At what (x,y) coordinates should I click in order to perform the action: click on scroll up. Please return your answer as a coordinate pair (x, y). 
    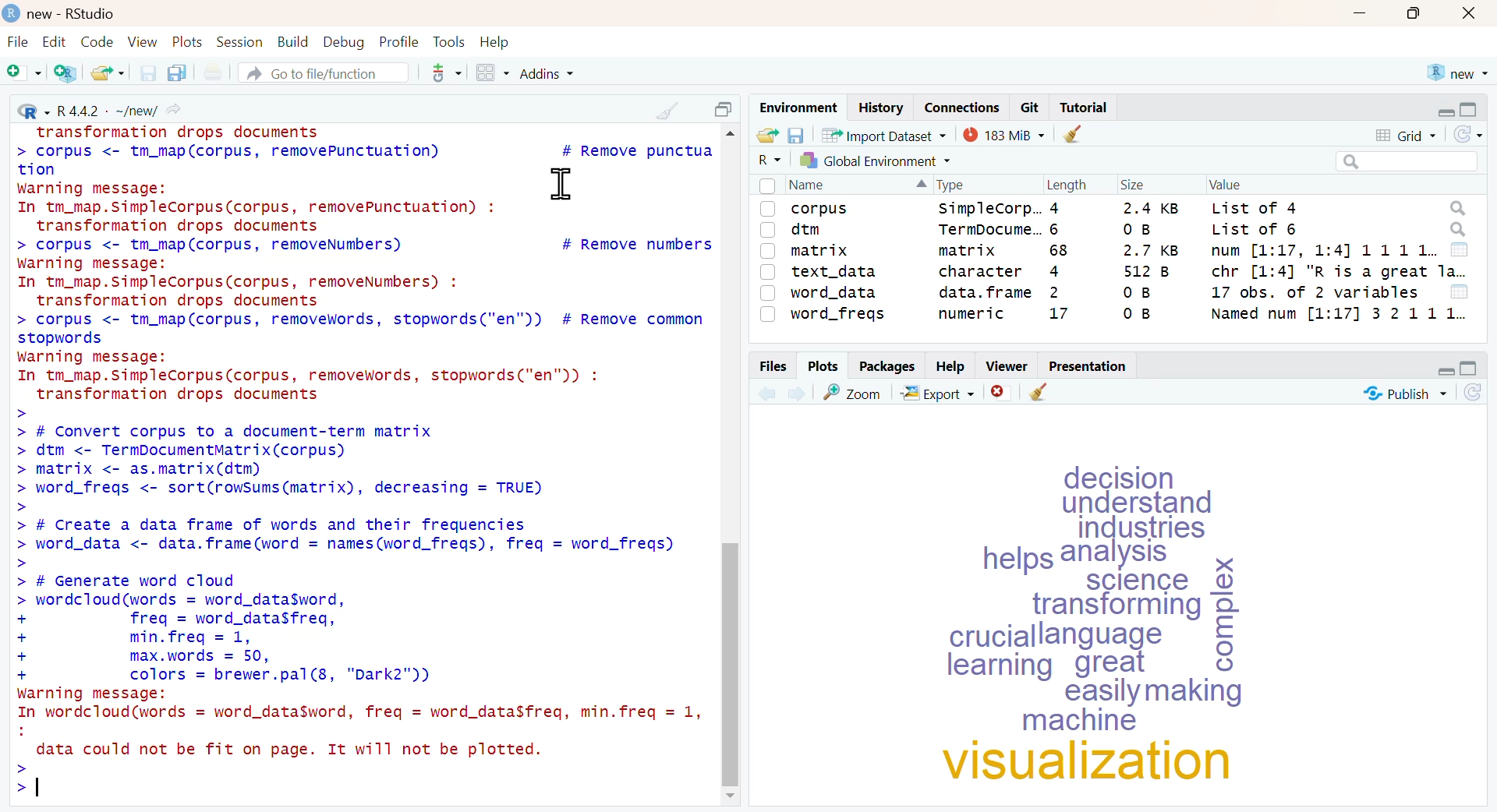
    Looking at the image, I should click on (730, 135).